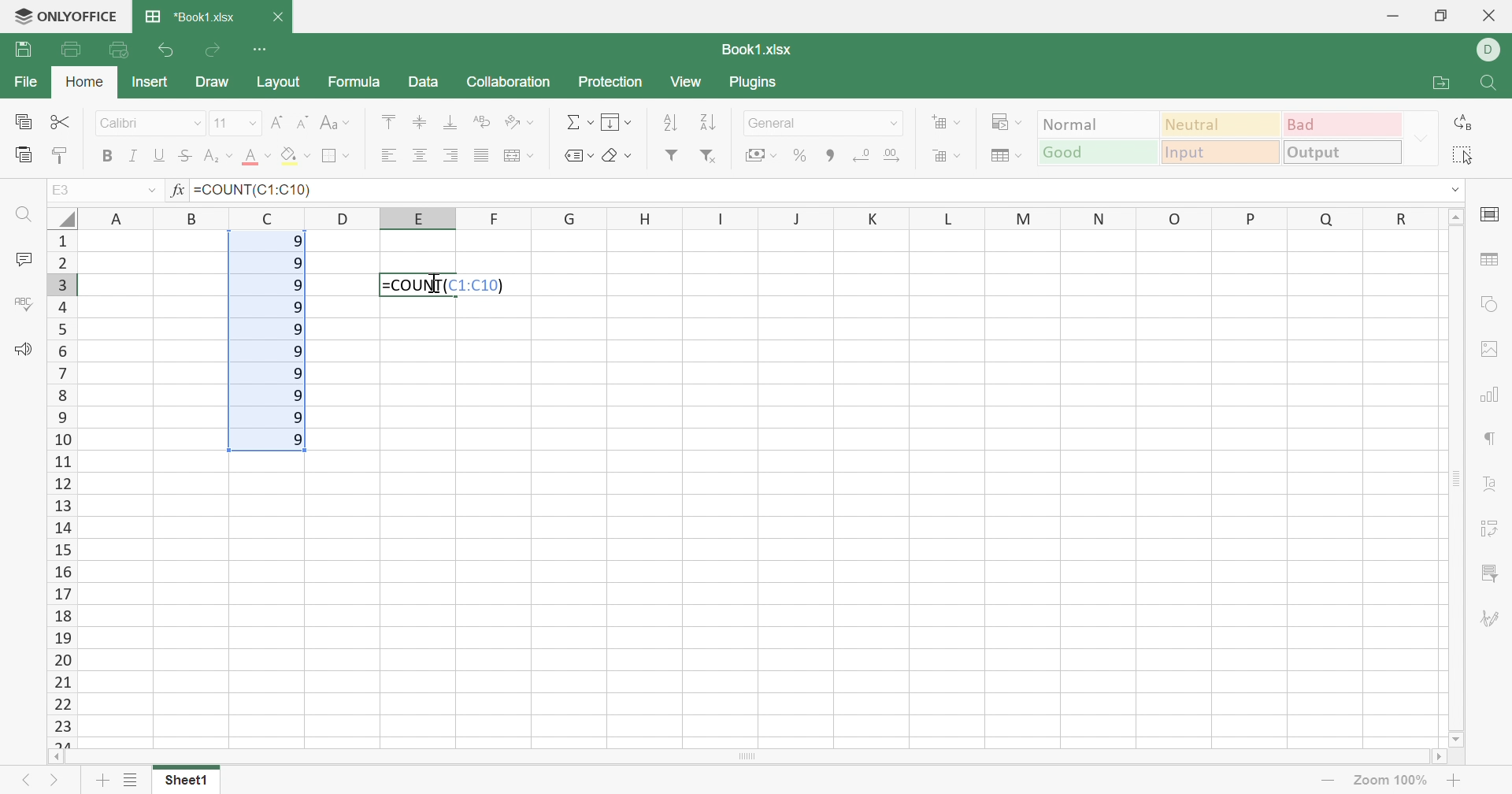  What do you see at coordinates (772, 123) in the screenshot?
I see `General` at bounding box center [772, 123].